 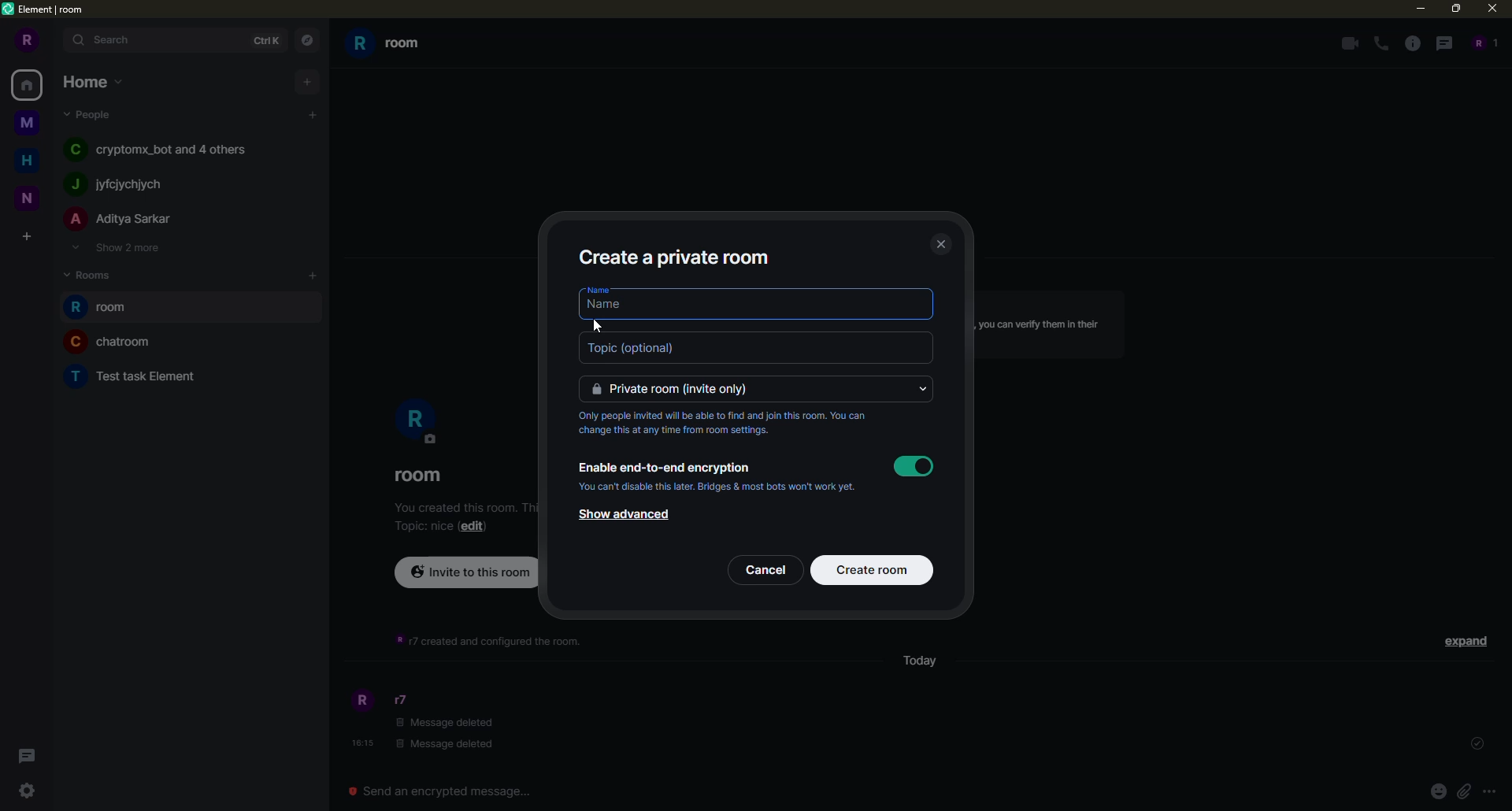 What do you see at coordinates (123, 183) in the screenshot?
I see `people` at bounding box center [123, 183].